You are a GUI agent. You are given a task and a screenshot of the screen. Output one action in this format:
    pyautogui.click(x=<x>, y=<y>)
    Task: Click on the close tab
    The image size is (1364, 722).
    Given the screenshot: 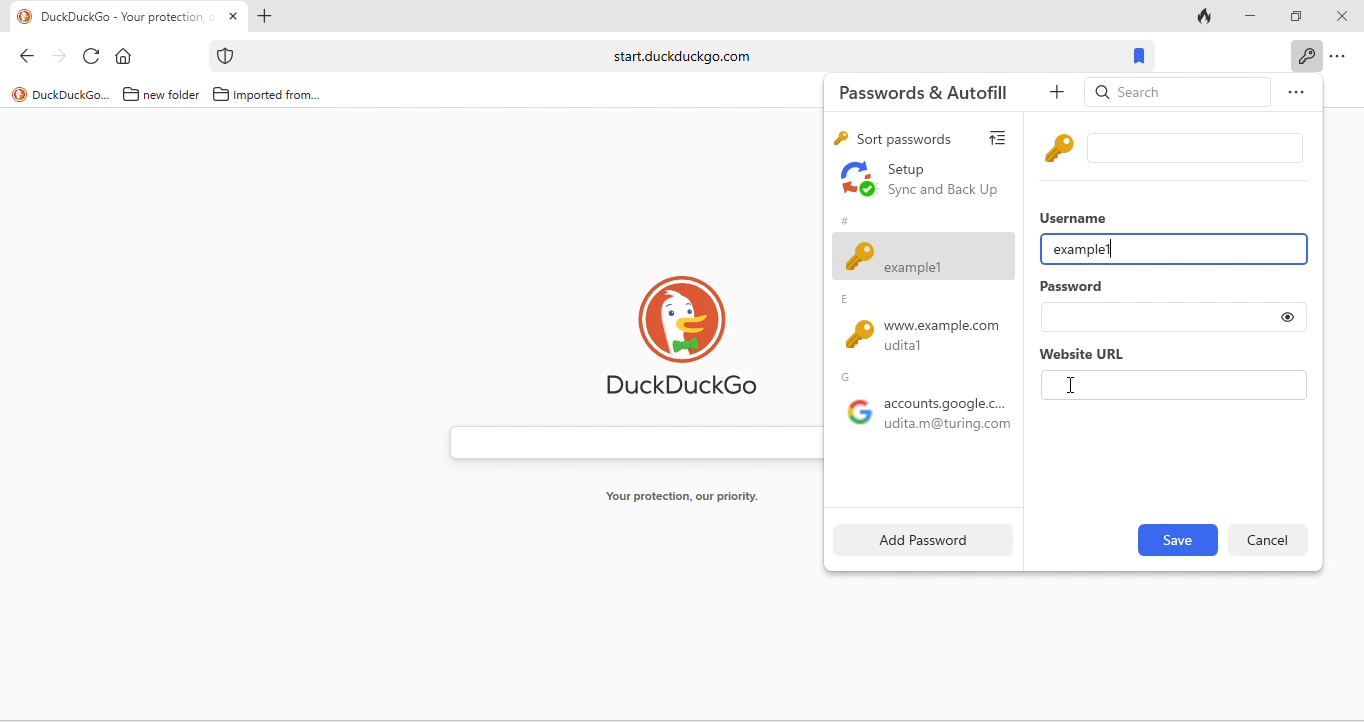 What is the action you would take?
    pyautogui.click(x=233, y=17)
    